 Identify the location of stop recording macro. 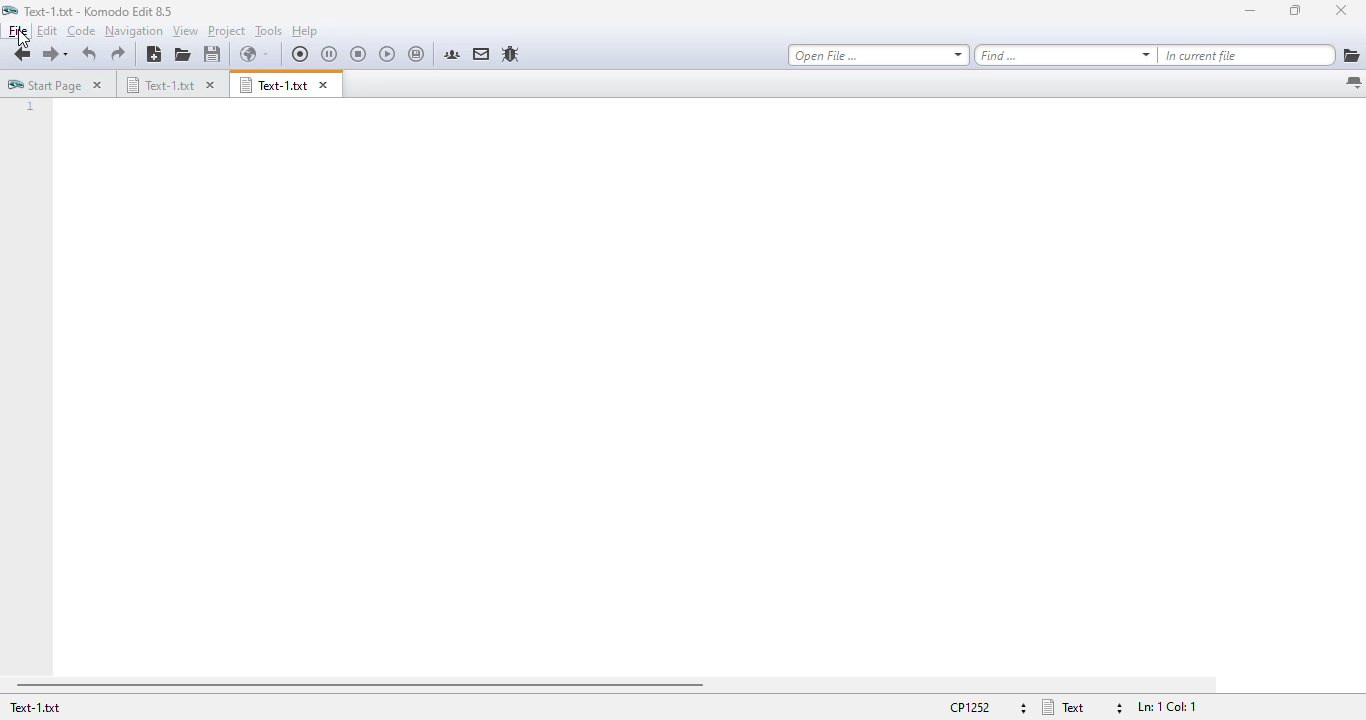
(358, 55).